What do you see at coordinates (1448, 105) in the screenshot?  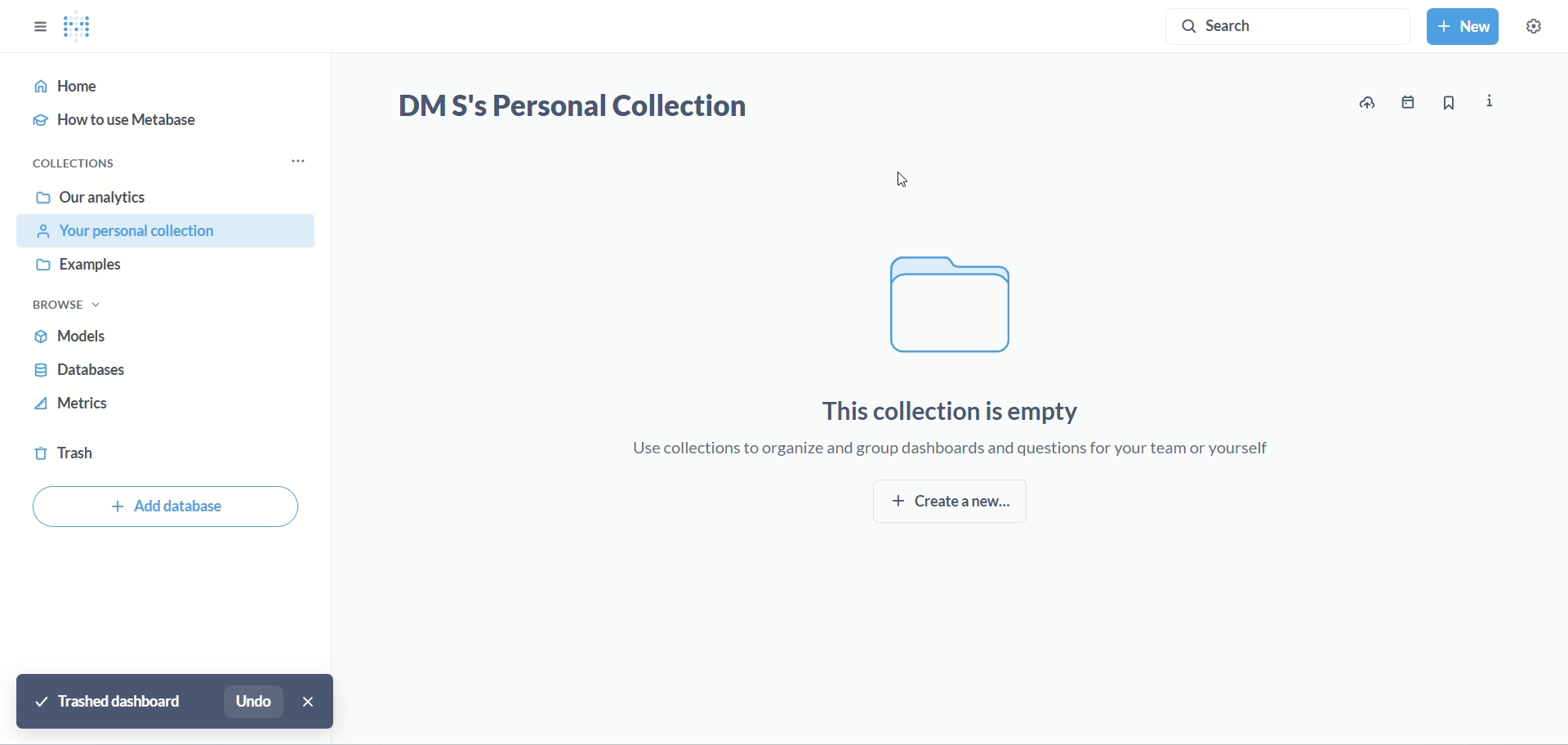 I see `bookmark` at bounding box center [1448, 105].